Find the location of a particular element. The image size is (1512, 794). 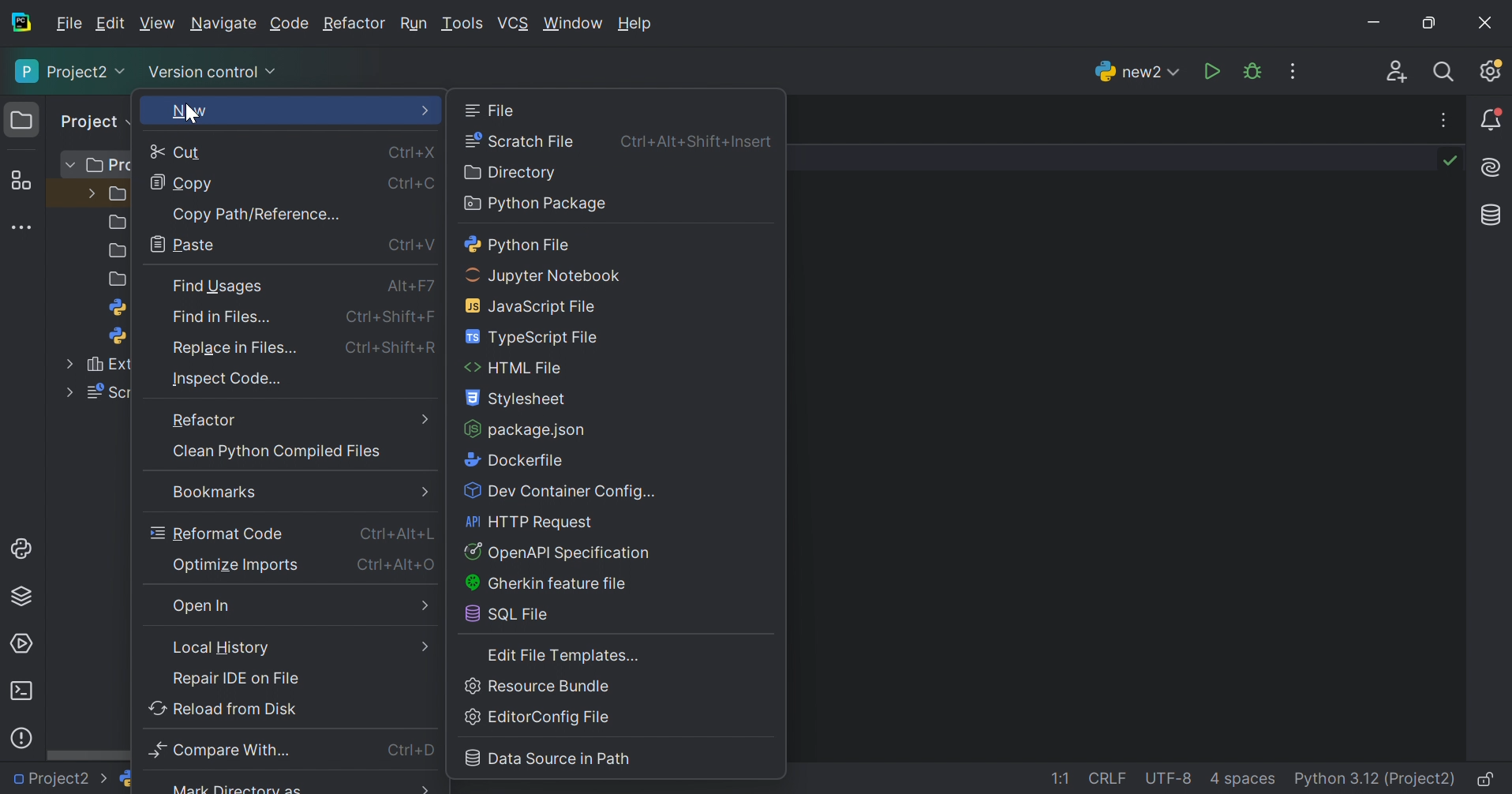

Help is located at coordinates (638, 24).